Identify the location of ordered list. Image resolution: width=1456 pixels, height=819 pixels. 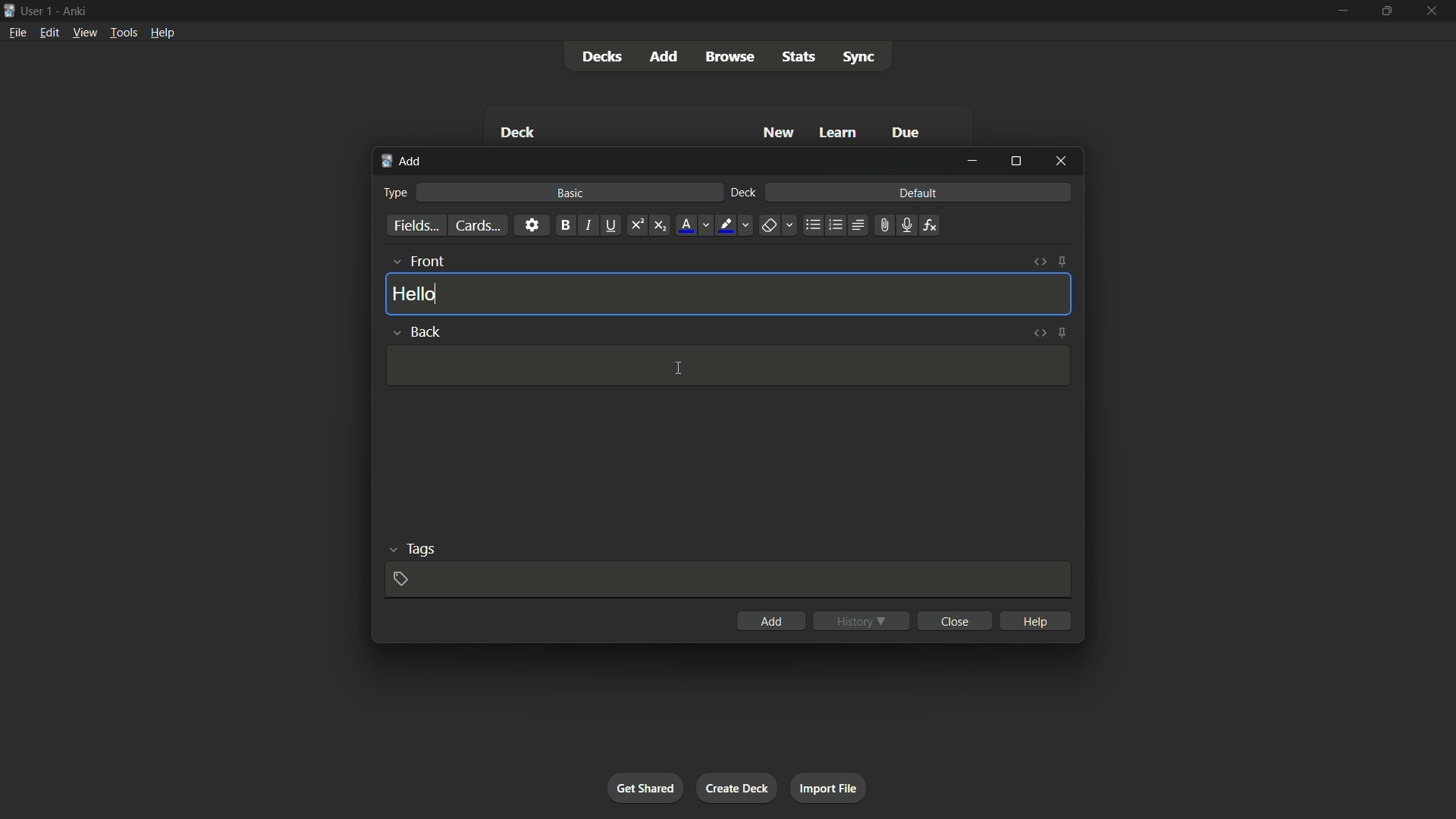
(836, 224).